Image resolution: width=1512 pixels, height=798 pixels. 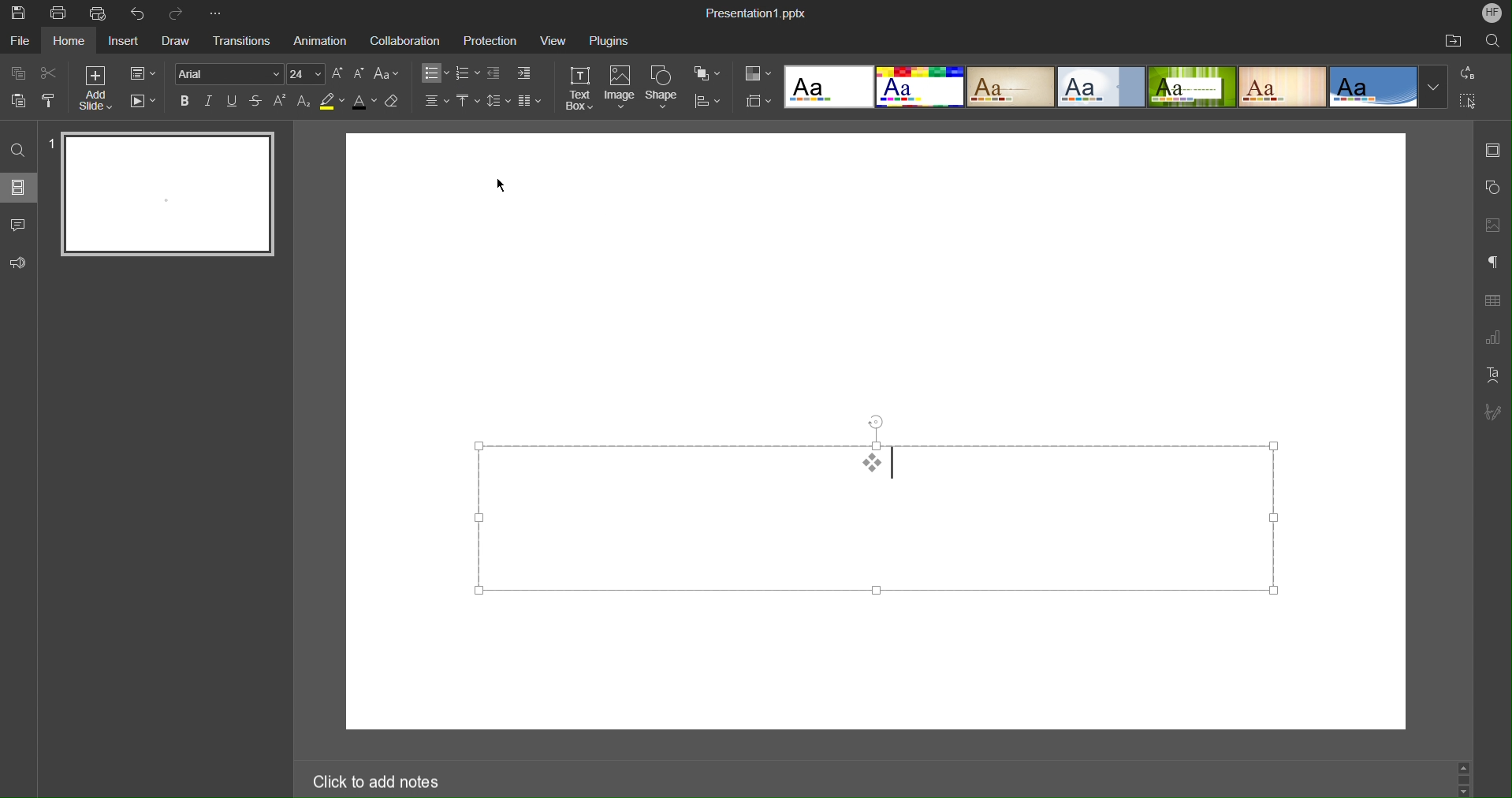 What do you see at coordinates (330, 103) in the screenshot?
I see `Highlight` at bounding box center [330, 103].